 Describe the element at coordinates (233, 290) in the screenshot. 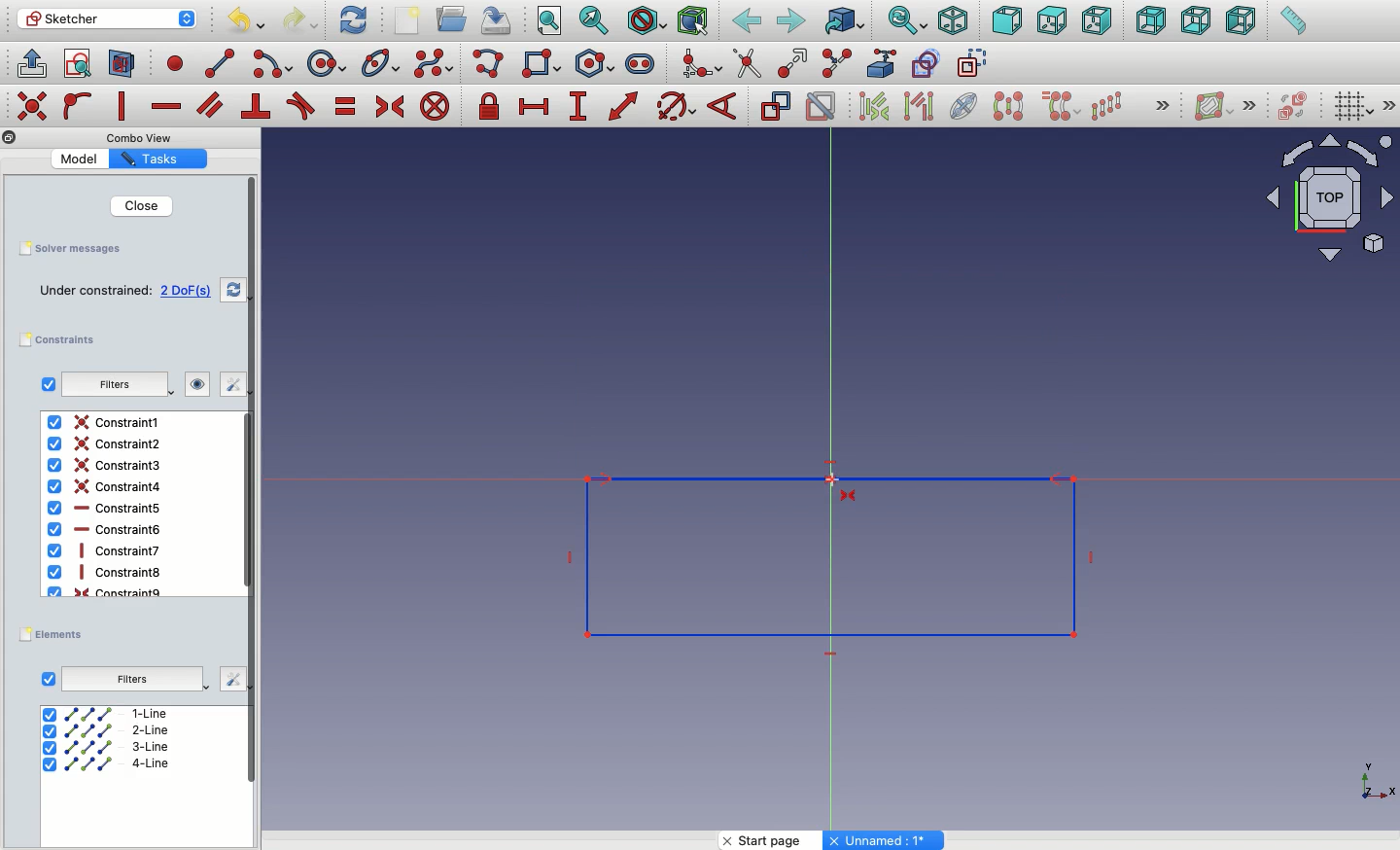

I see `refresh` at that location.